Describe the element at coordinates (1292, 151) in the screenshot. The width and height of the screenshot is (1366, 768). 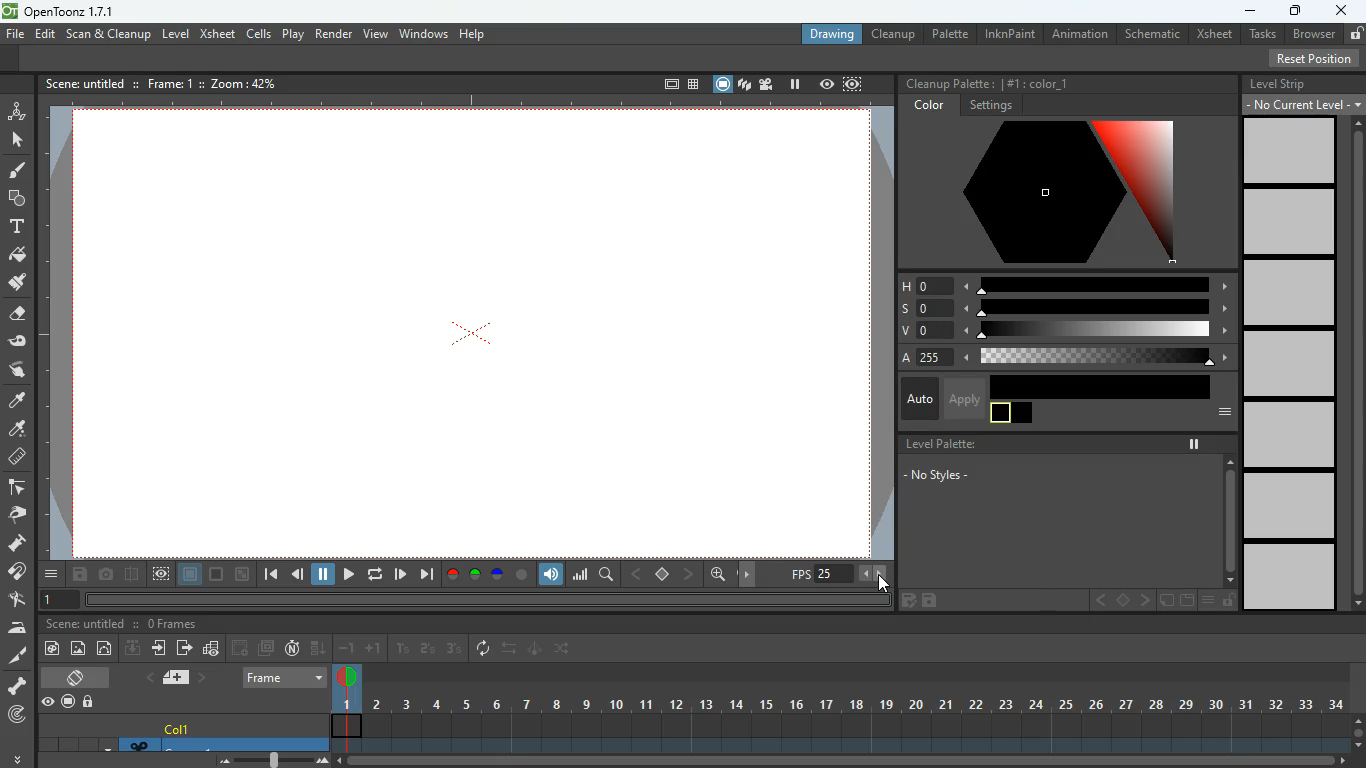
I see `level` at that location.